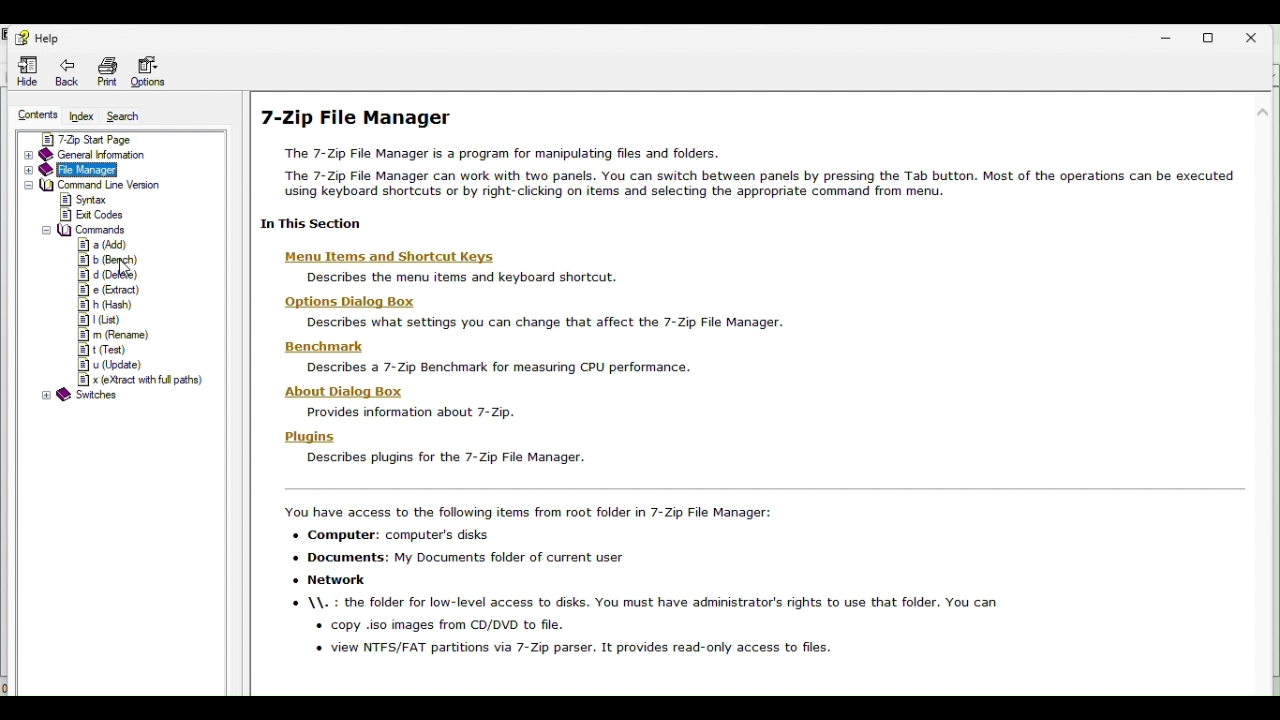  I want to click on Describes the menu items and keyboard shortcut,, so click(454, 278).